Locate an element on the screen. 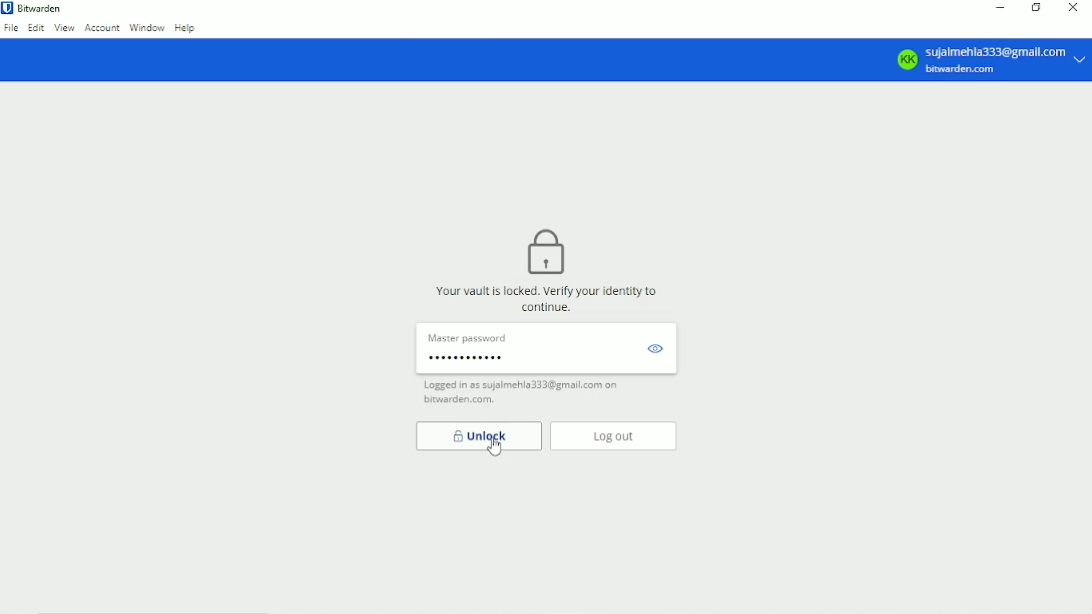  Account is located at coordinates (102, 29).